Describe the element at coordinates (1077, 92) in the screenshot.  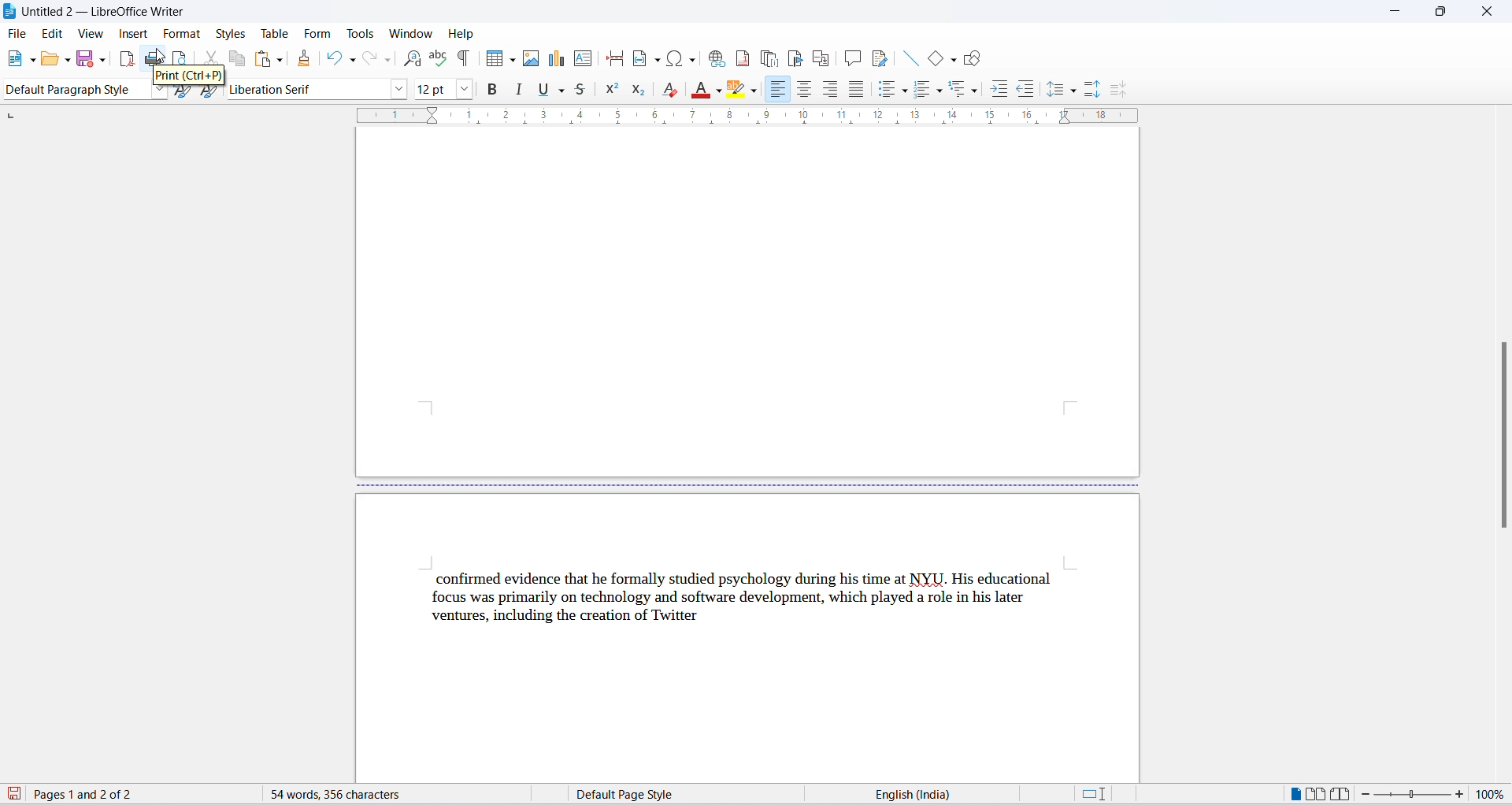
I see `line spacing options` at that location.